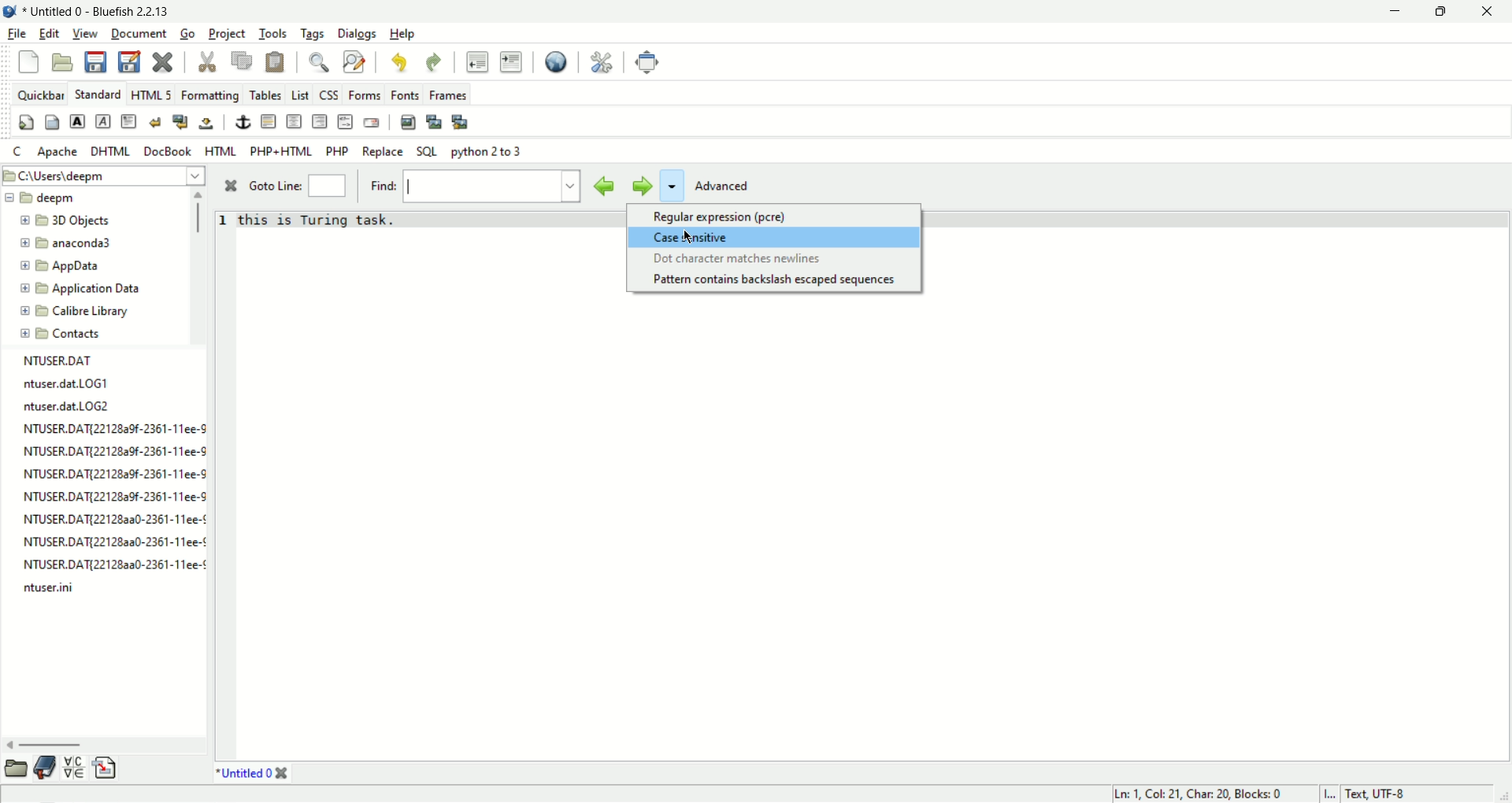 This screenshot has height=803, width=1512. Describe the element at coordinates (383, 152) in the screenshot. I see `Replace` at that location.